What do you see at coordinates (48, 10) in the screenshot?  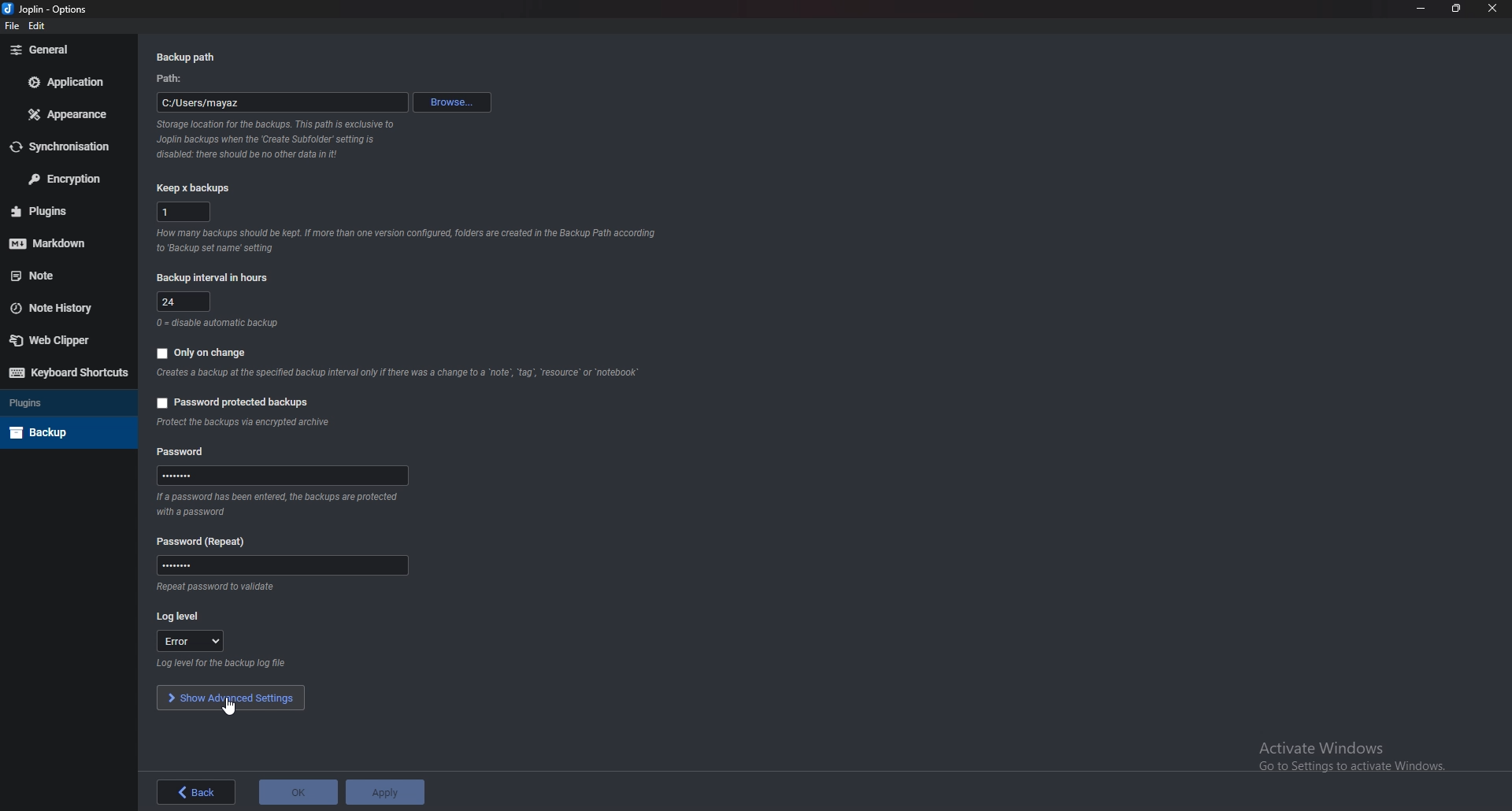 I see `Joplin - options` at bounding box center [48, 10].